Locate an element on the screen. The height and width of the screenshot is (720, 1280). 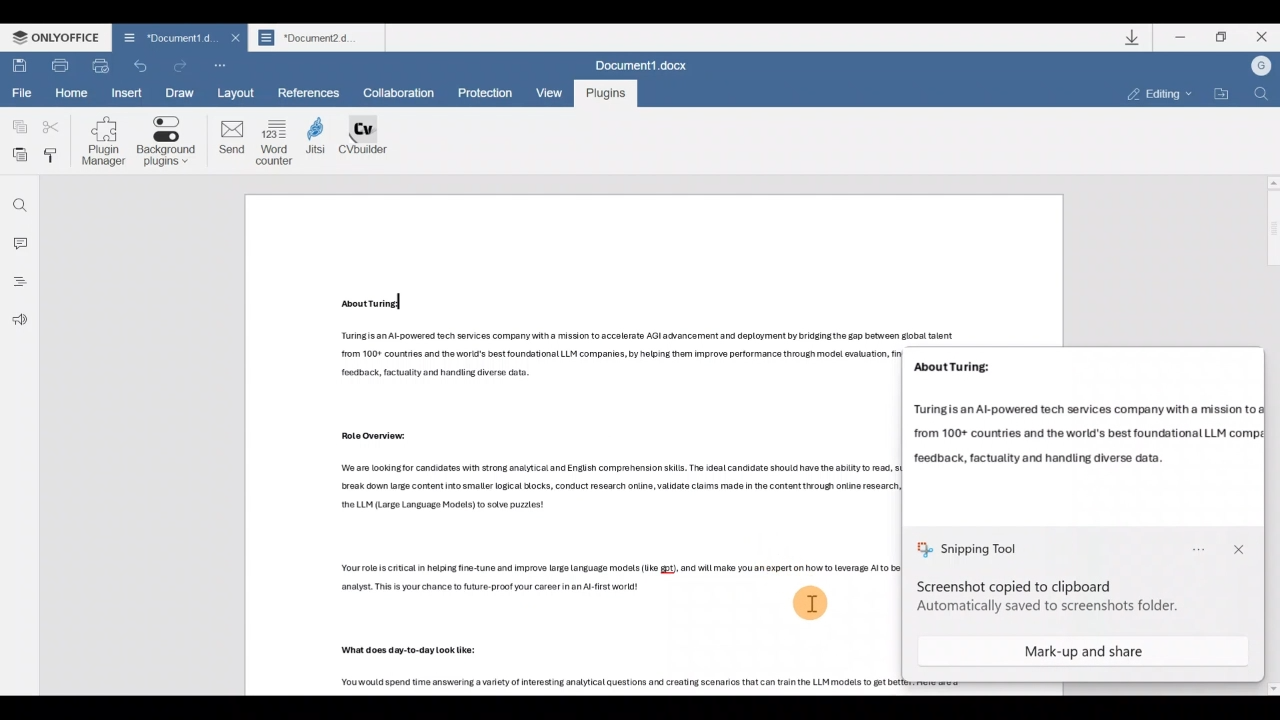
Cut is located at coordinates (52, 128).